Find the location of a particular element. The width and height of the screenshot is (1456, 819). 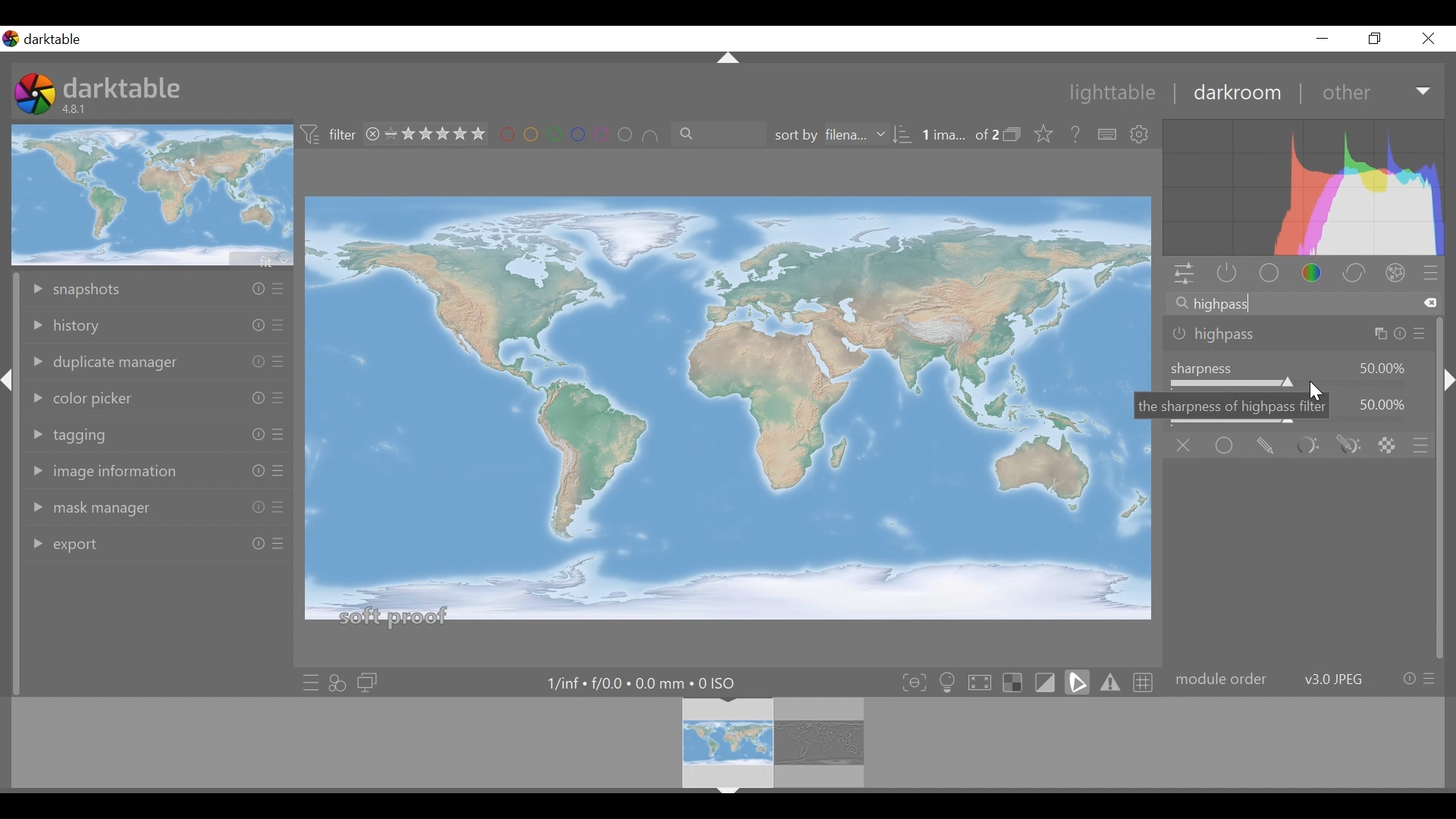

50.00% is located at coordinates (1382, 366).